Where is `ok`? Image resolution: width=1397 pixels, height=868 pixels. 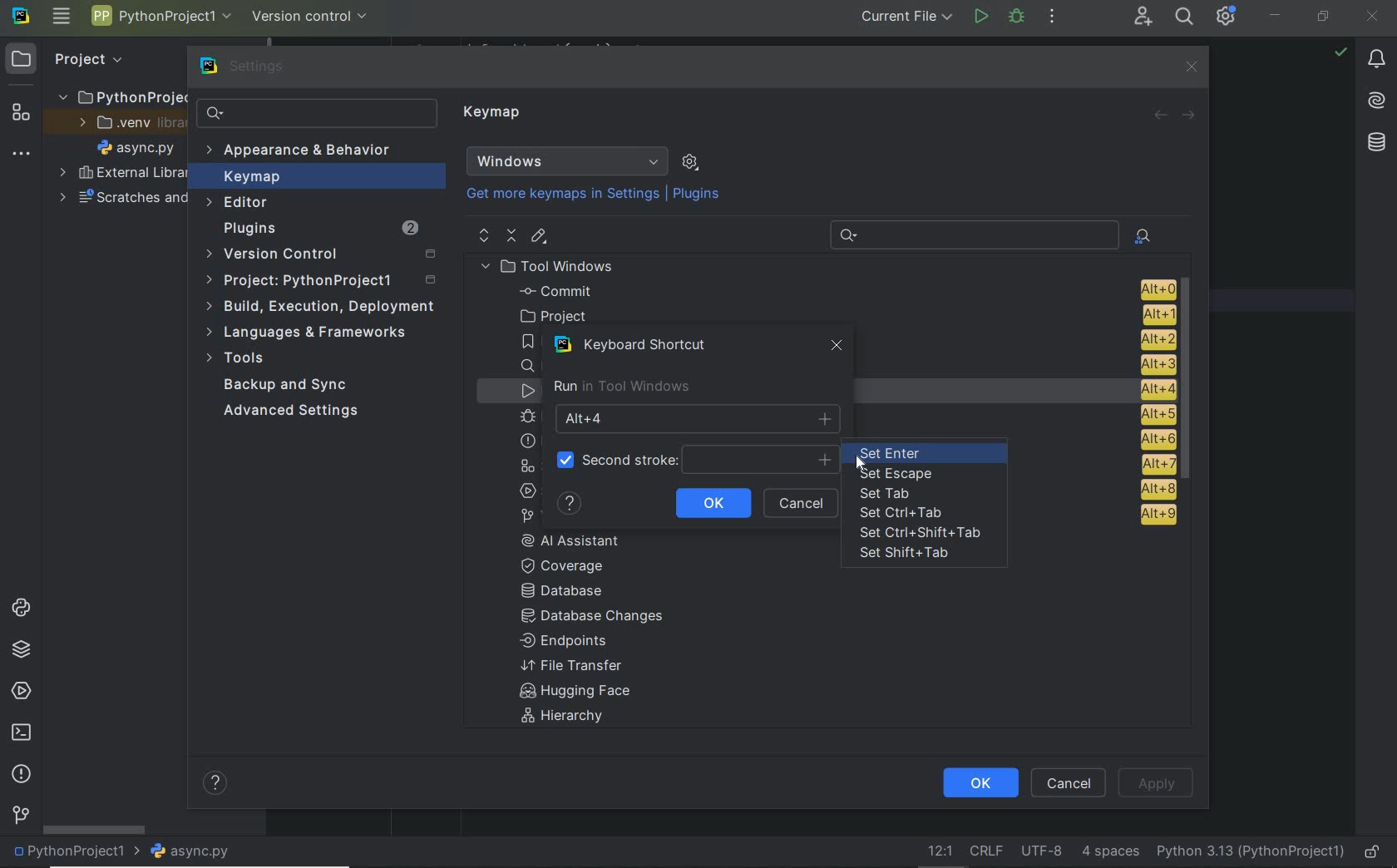
ok is located at coordinates (979, 783).